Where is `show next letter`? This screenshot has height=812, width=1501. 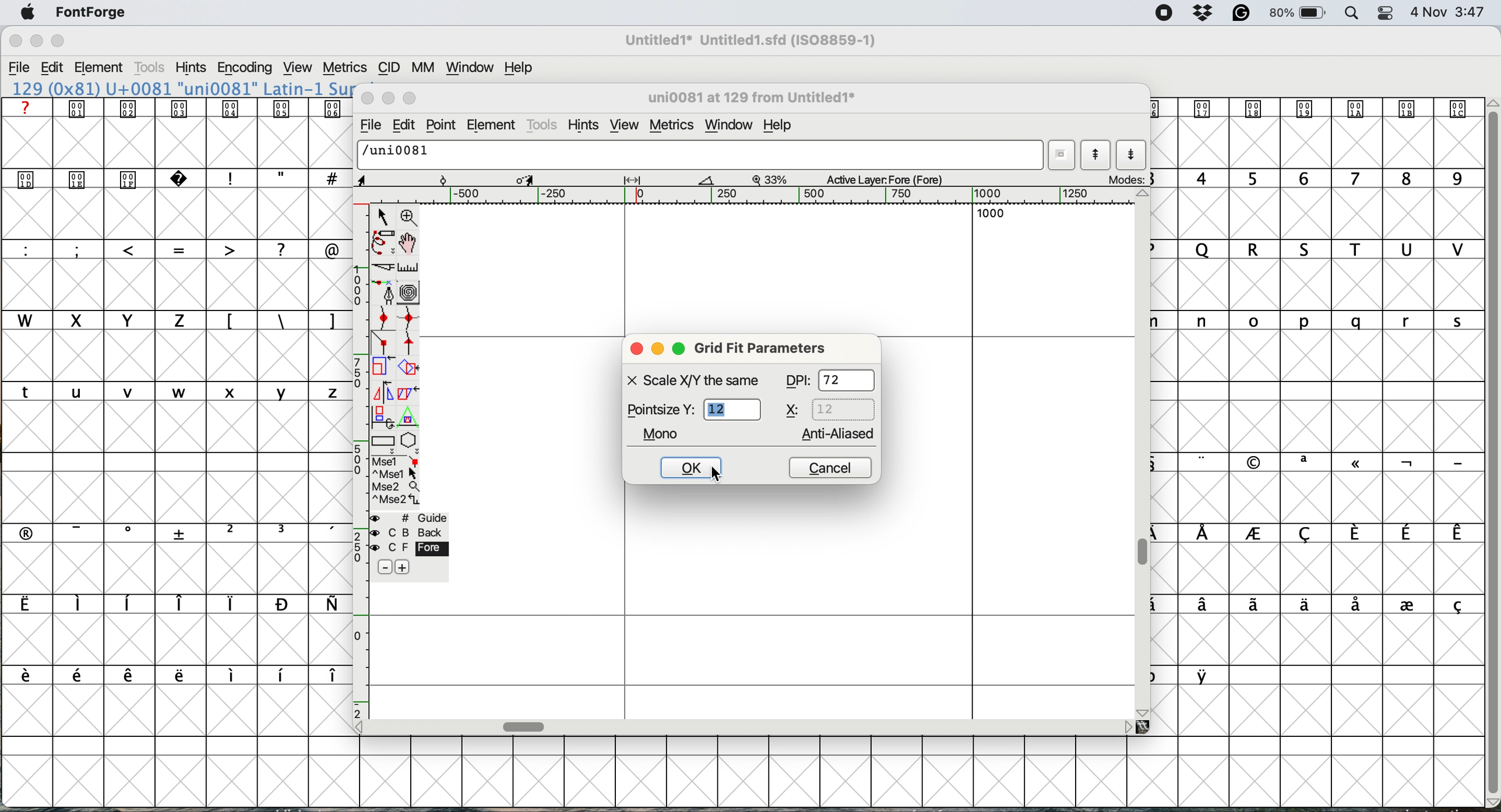 show next letter is located at coordinates (1130, 154).